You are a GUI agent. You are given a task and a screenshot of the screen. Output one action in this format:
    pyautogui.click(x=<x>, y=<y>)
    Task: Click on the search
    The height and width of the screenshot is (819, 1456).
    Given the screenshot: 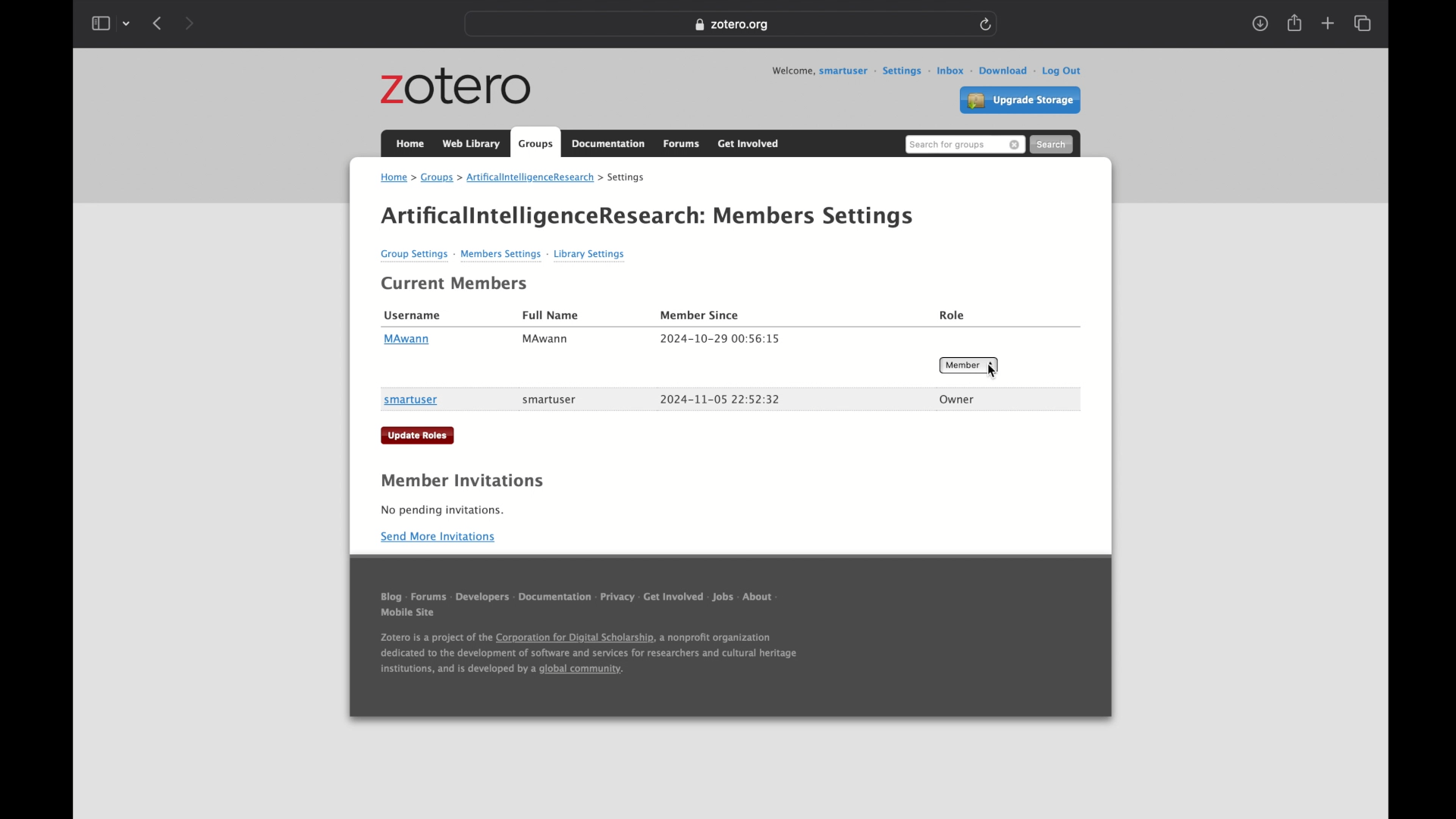 What is the action you would take?
    pyautogui.click(x=1051, y=143)
    